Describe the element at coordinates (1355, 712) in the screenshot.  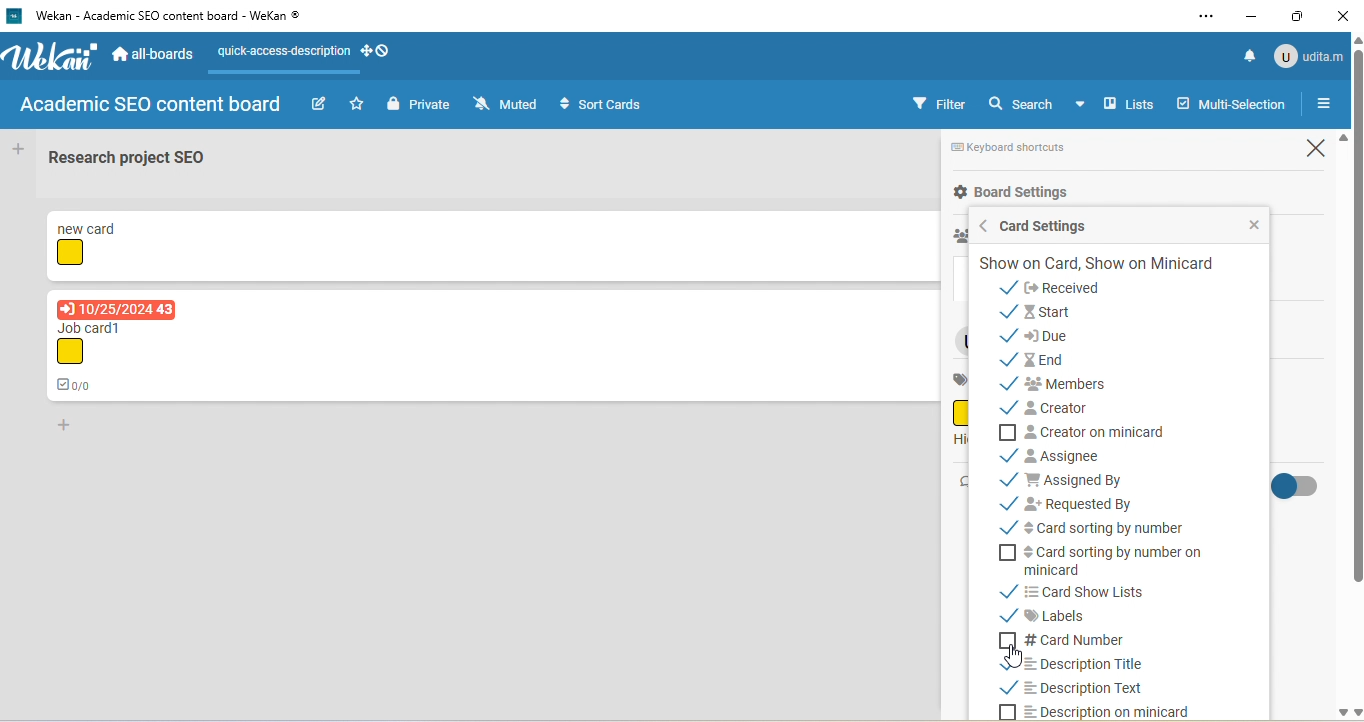
I see `scroll down` at that location.